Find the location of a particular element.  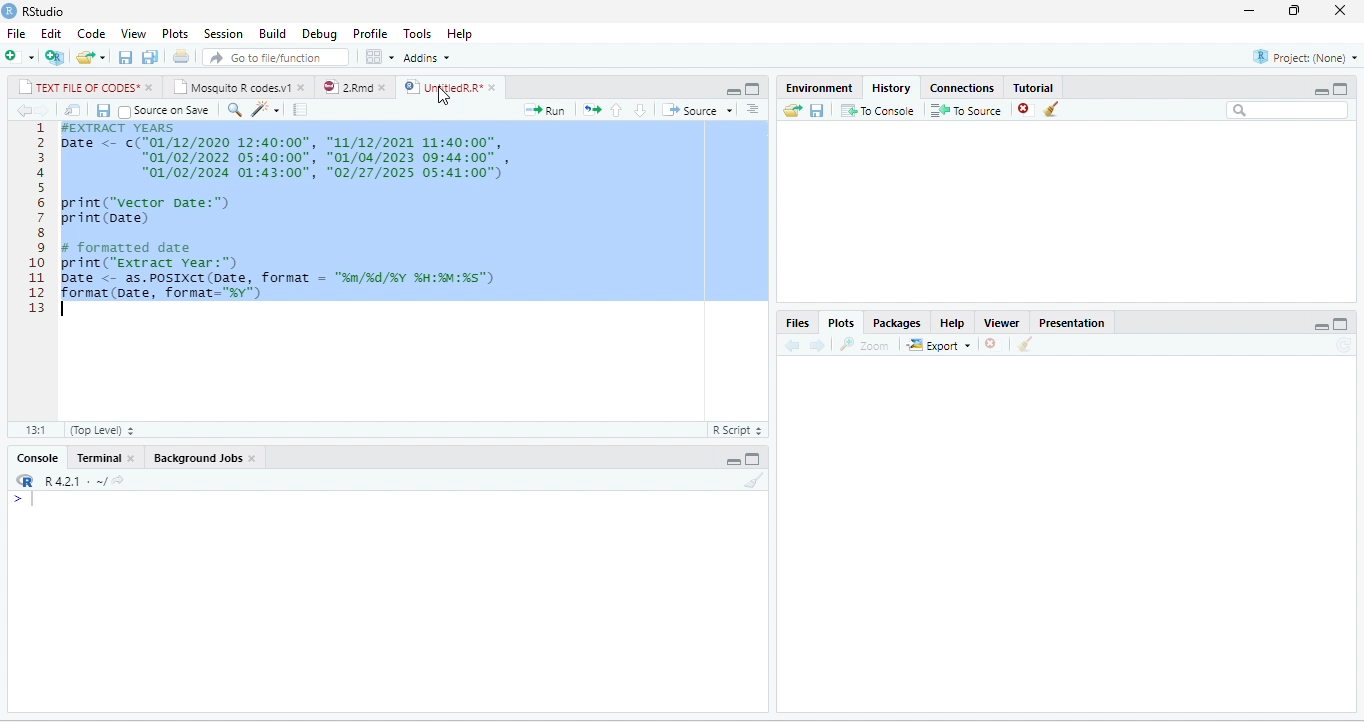

minimize is located at coordinates (1250, 11).